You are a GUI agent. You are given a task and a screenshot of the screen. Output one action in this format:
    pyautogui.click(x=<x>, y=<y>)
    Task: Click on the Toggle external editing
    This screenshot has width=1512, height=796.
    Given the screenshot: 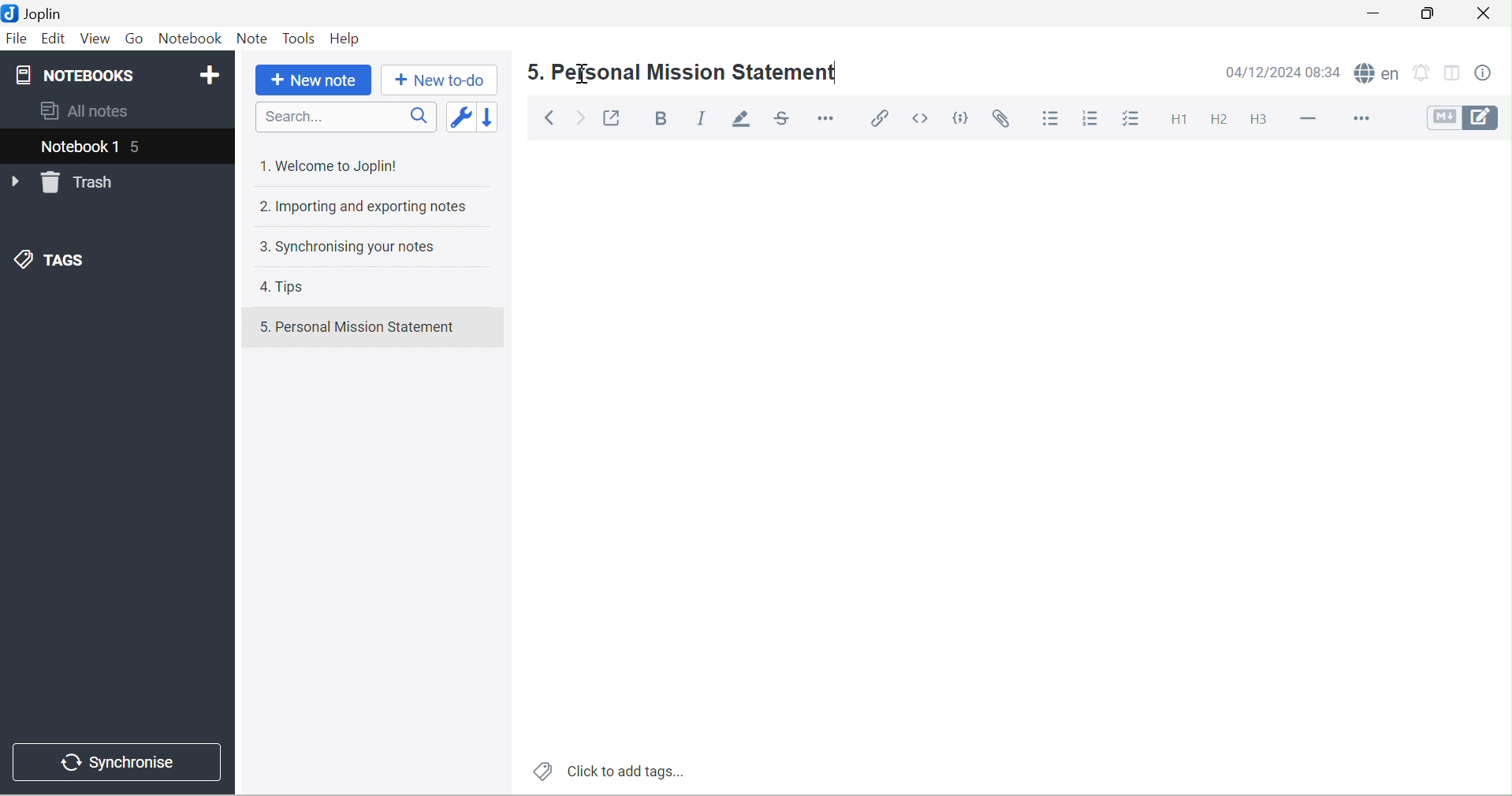 What is the action you would take?
    pyautogui.click(x=612, y=117)
    